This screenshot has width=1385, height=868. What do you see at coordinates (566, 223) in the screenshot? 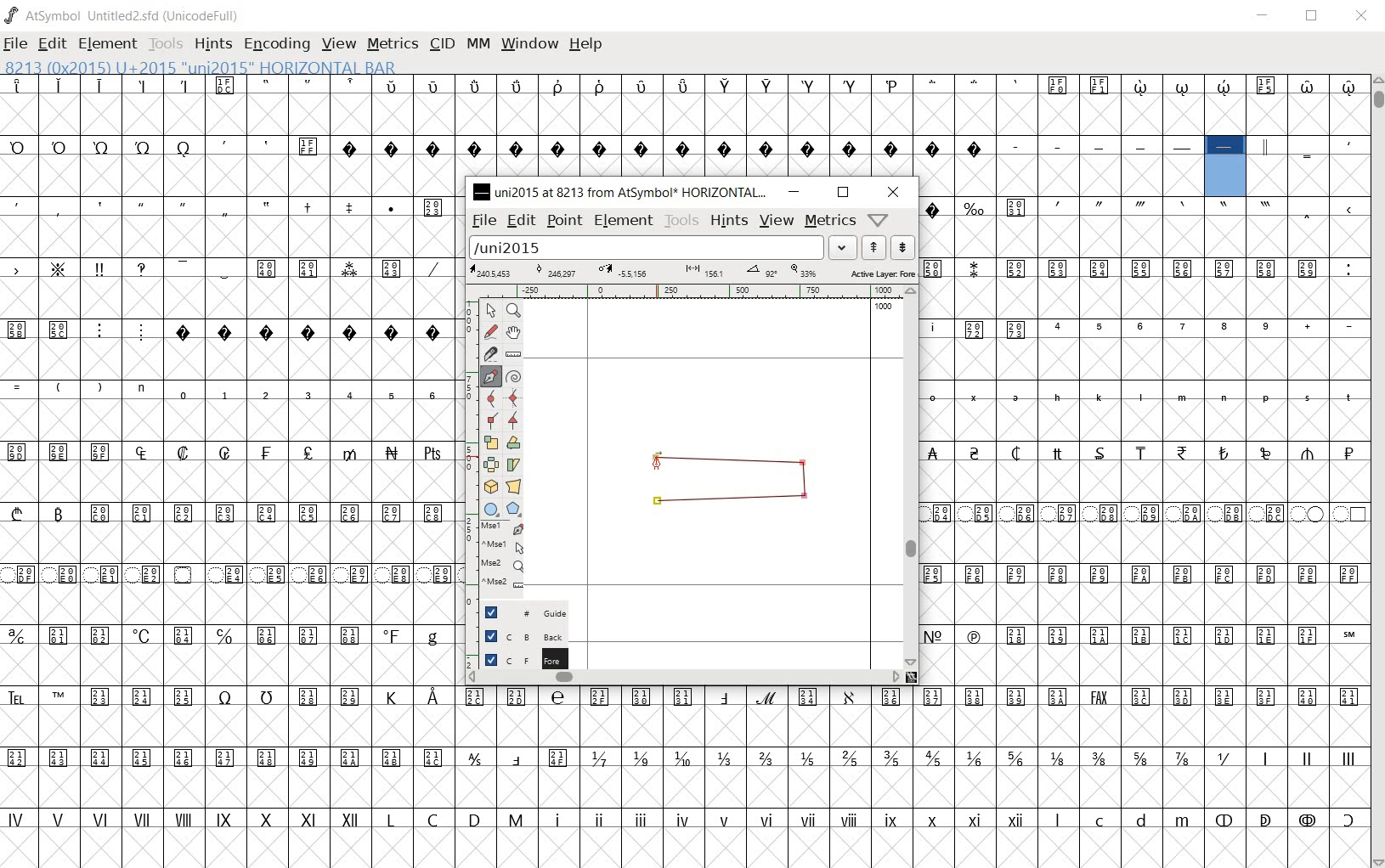
I see `point` at bounding box center [566, 223].